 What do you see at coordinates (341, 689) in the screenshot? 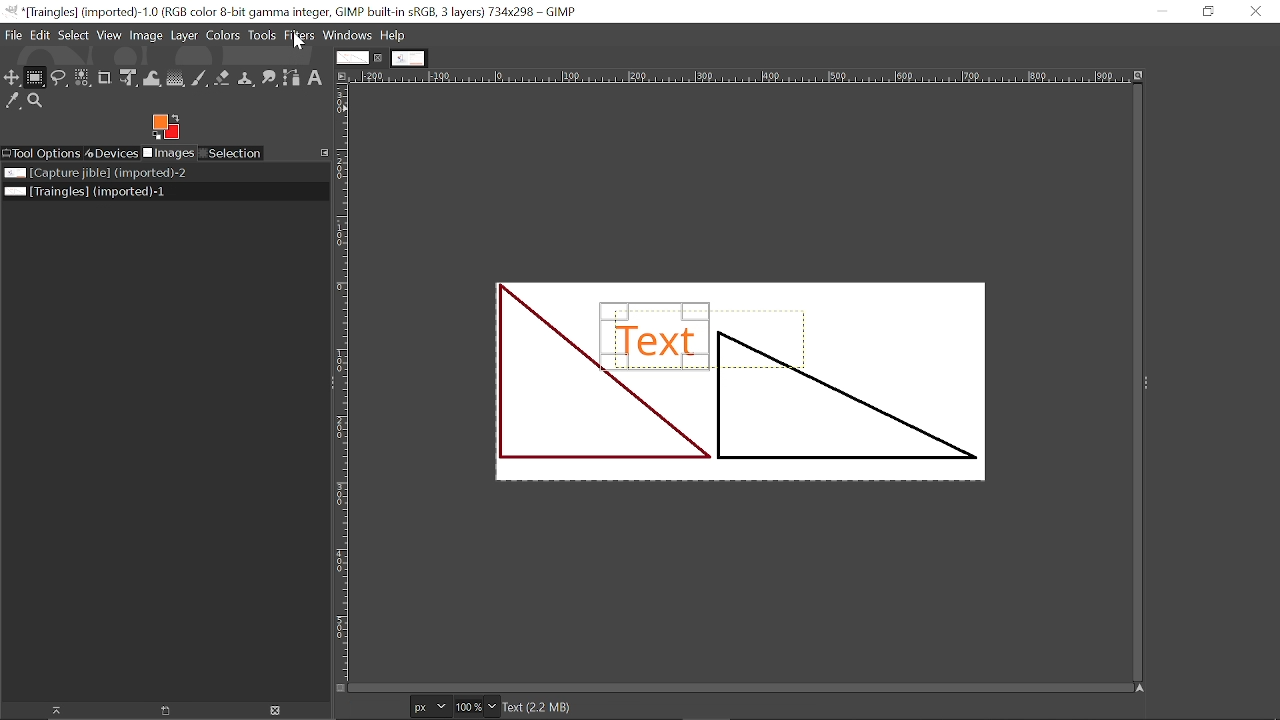
I see `Toggle quick mask on/off` at bounding box center [341, 689].